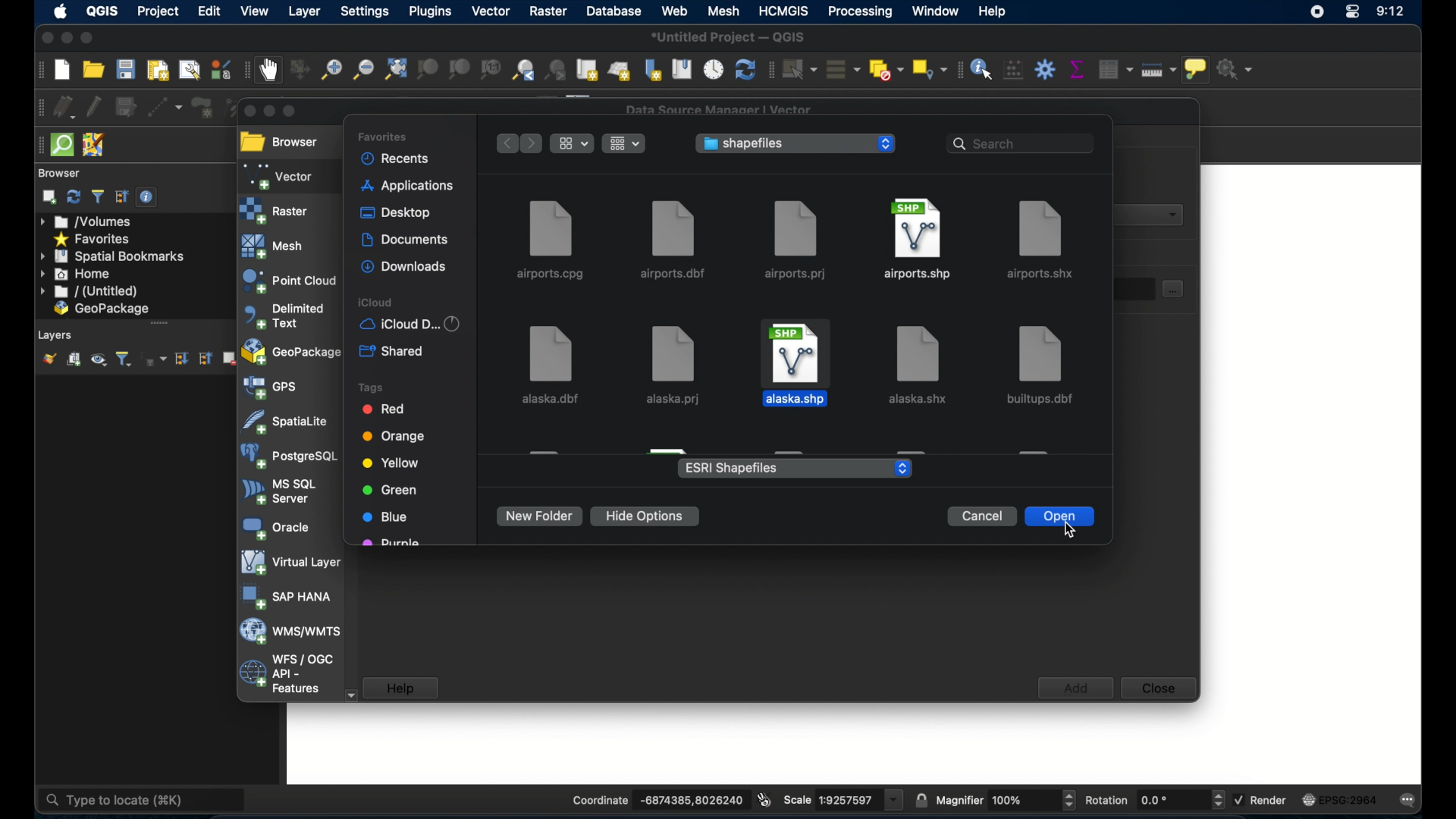  Describe the element at coordinates (93, 70) in the screenshot. I see `open project` at that location.